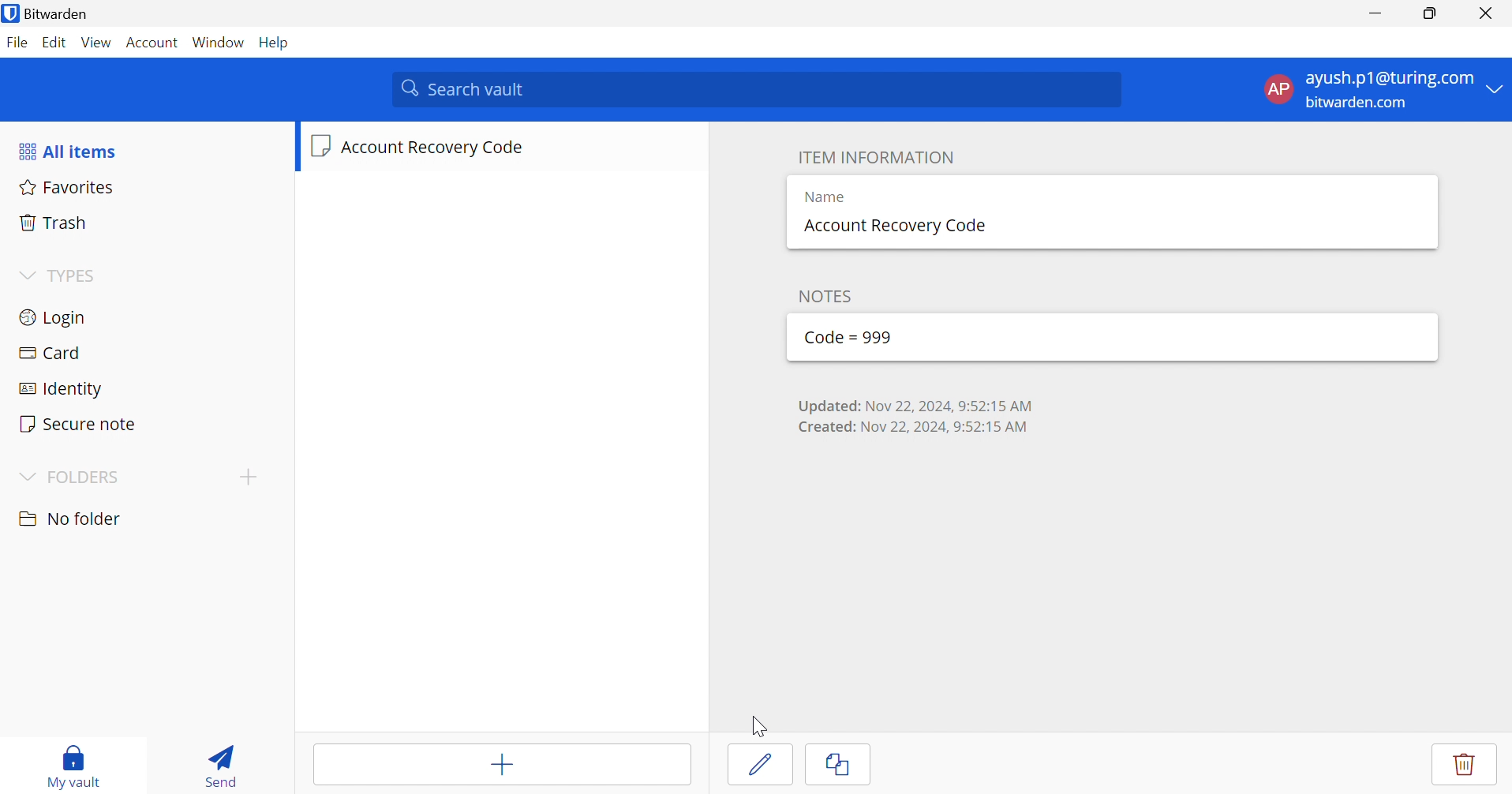 The height and width of the screenshot is (794, 1512). I want to click on All items, so click(71, 153).